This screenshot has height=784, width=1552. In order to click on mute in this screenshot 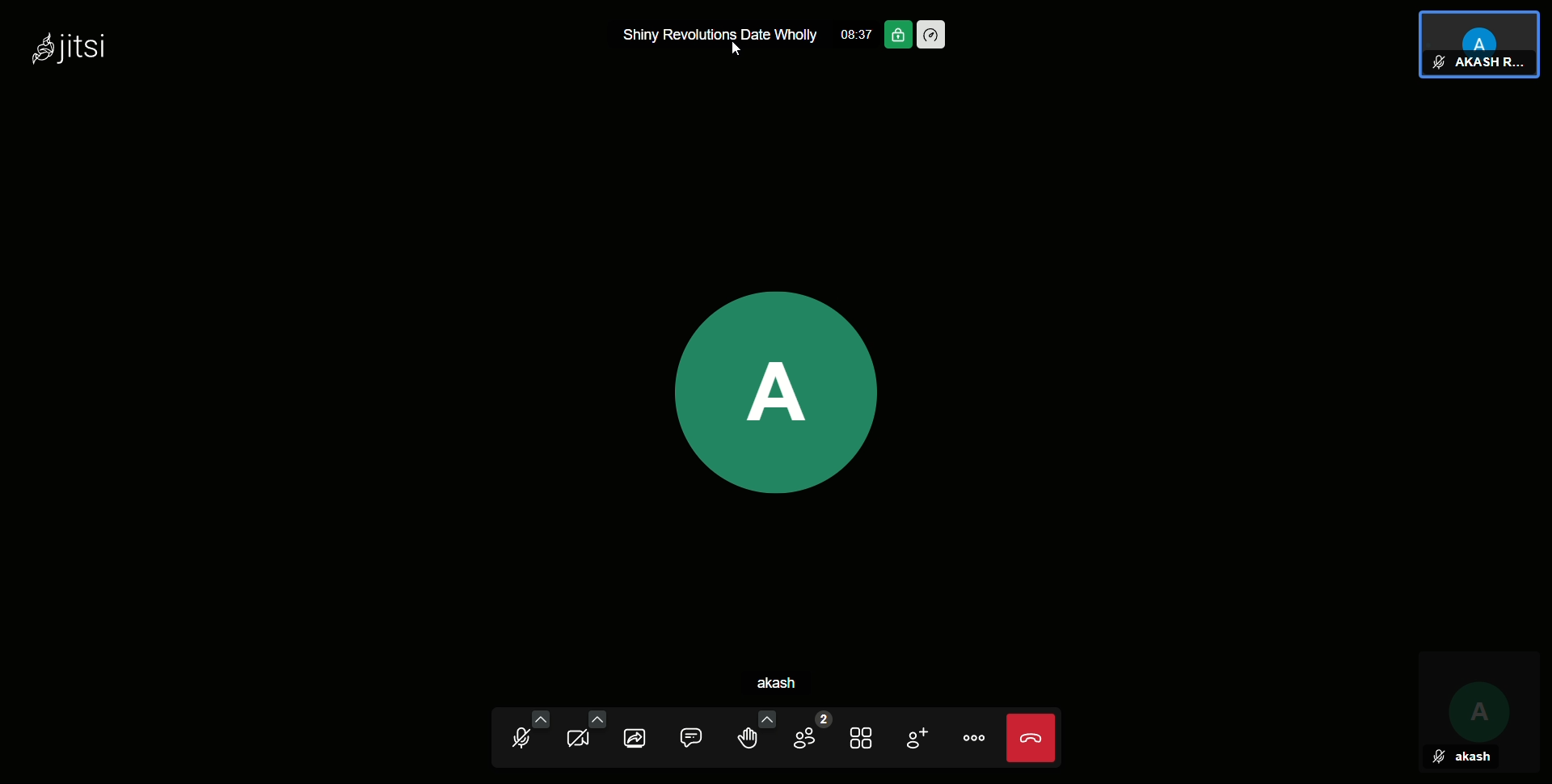, I will do `click(1438, 759)`.